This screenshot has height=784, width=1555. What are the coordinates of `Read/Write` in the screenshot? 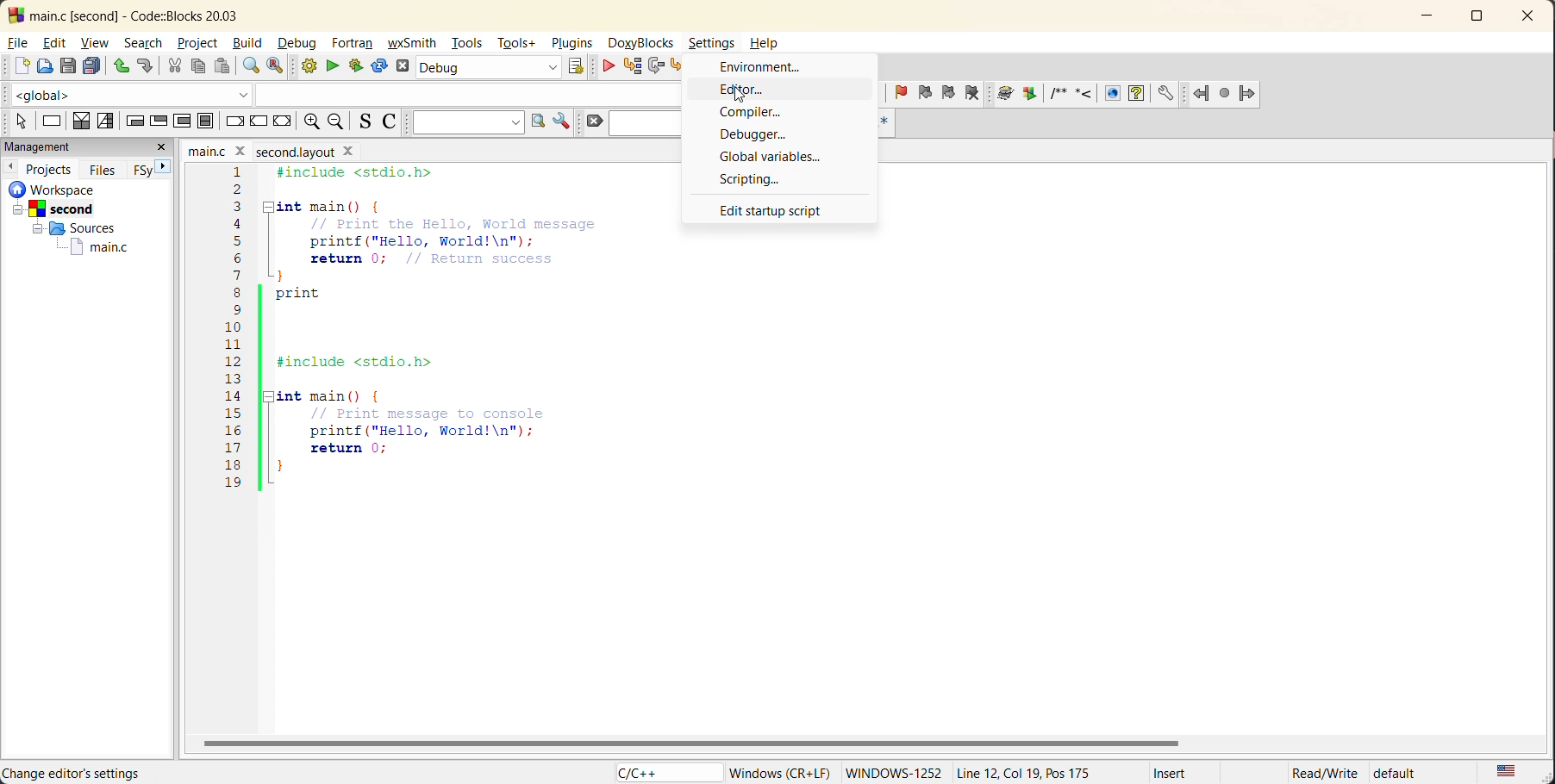 It's located at (1319, 774).